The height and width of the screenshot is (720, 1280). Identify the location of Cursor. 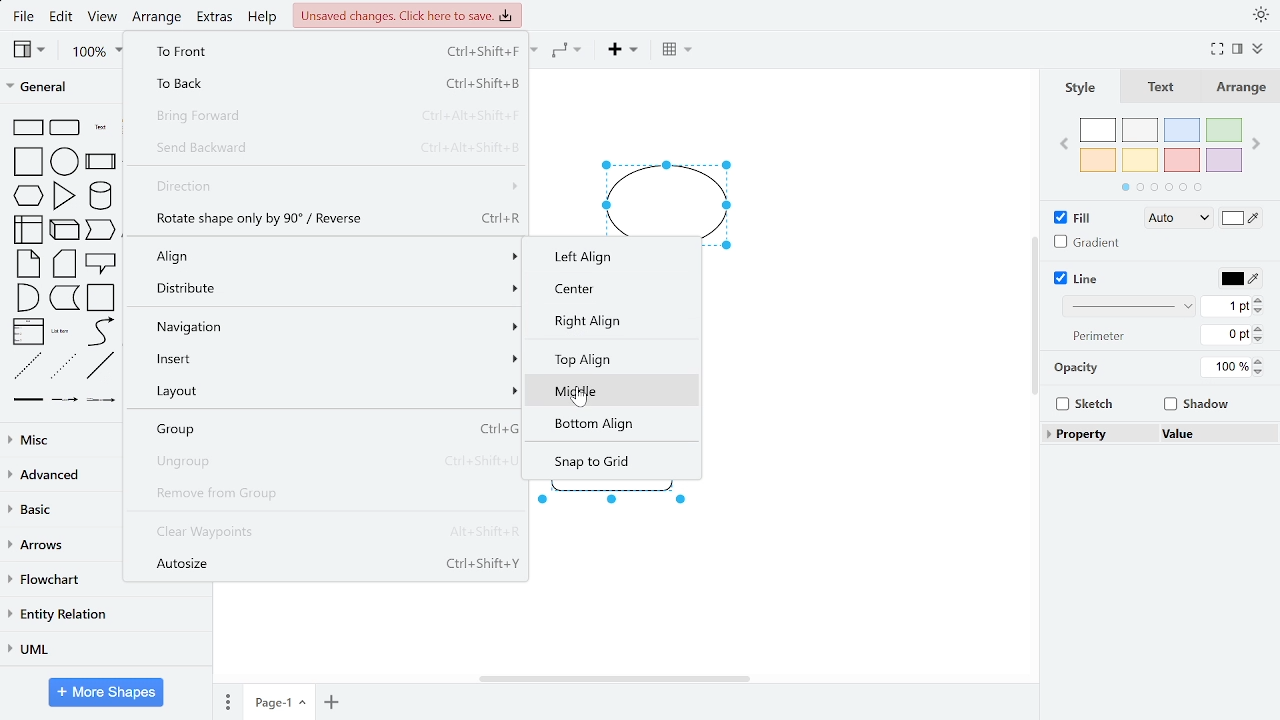
(579, 401).